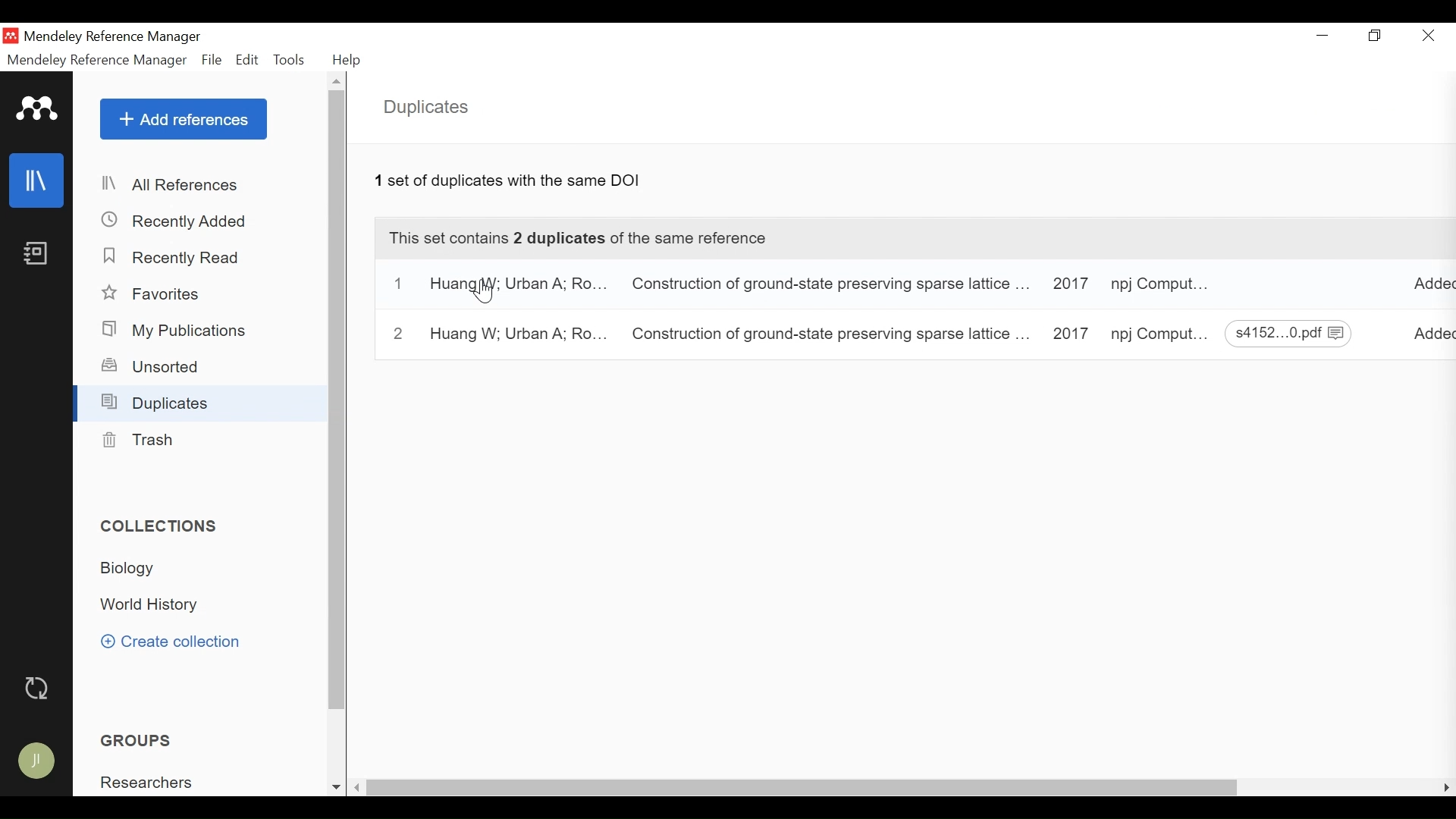 This screenshot has width=1456, height=819. Describe the element at coordinates (827, 287) in the screenshot. I see `Construction of ground-state preserving sparse lattice..` at that location.